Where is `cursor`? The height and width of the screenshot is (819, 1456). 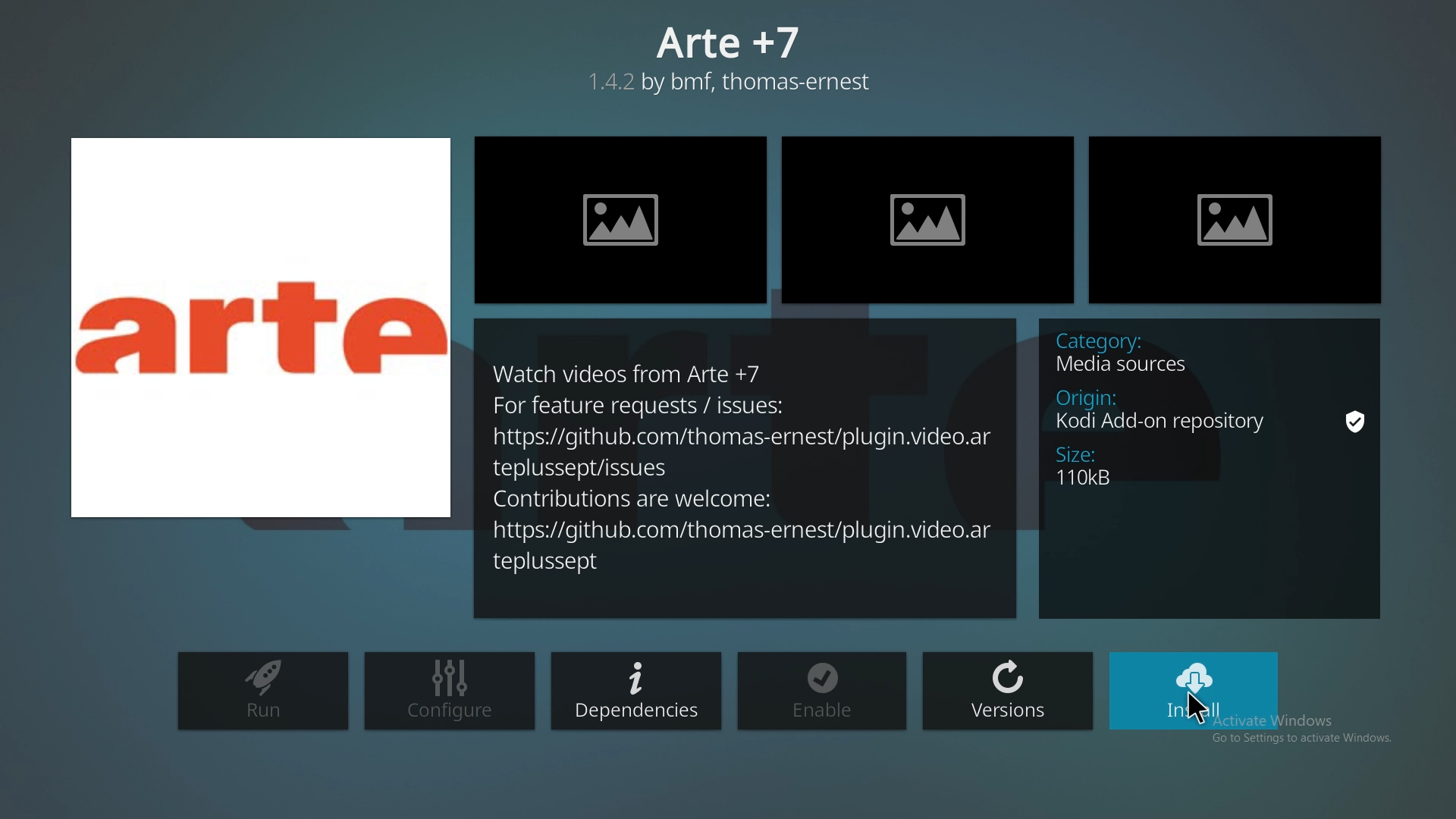 cursor is located at coordinates (1201, 708).